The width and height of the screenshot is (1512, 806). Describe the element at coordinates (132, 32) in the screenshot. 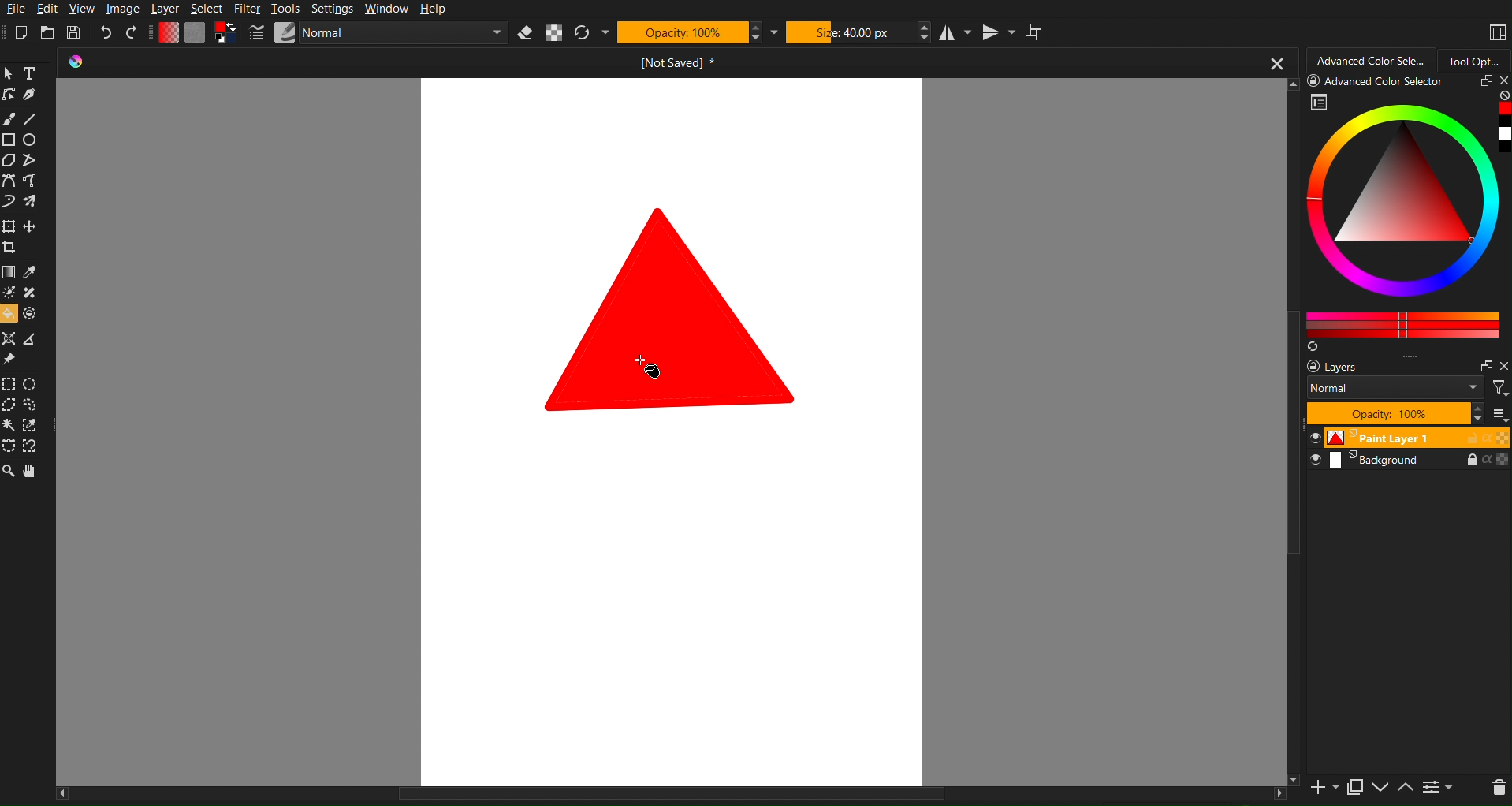

I see `Redo` at that location.